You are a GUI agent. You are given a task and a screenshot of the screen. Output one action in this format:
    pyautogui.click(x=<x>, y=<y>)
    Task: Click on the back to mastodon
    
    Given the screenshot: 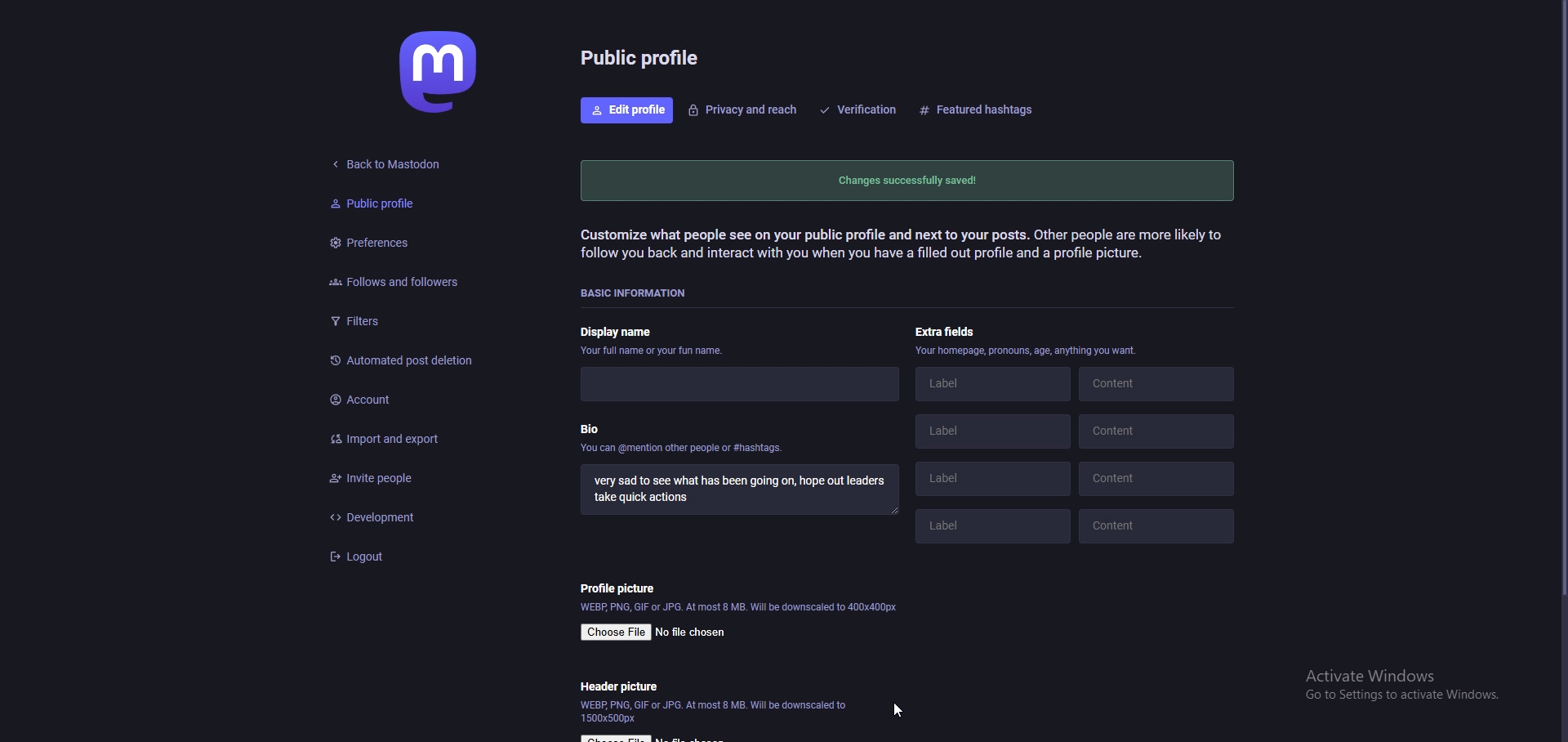 What is the action you would take?
    pyautogui.click(x=388, y=166)
    